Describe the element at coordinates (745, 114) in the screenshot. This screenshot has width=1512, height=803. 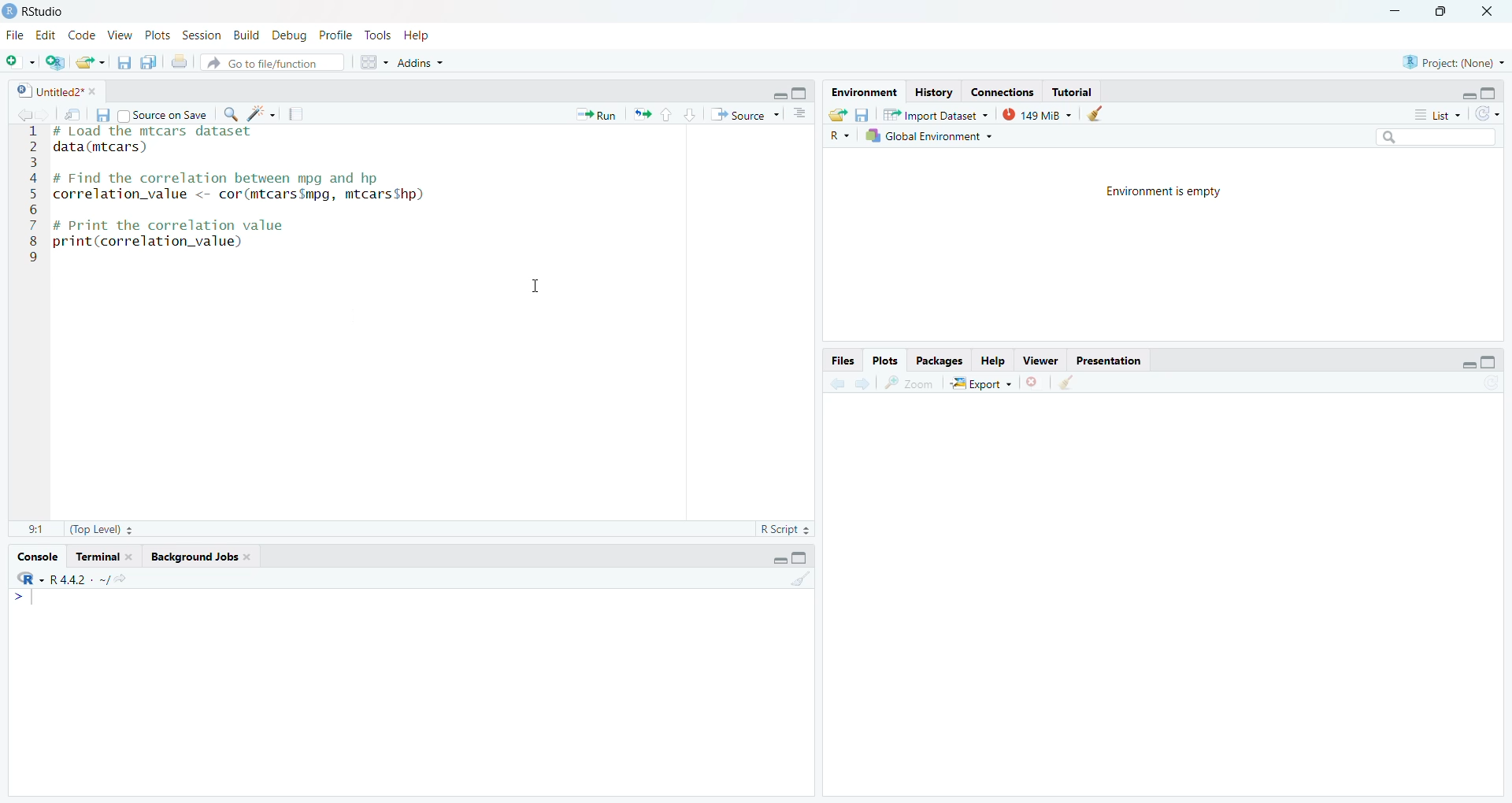
I see `Source the contents of the active document` at that location.